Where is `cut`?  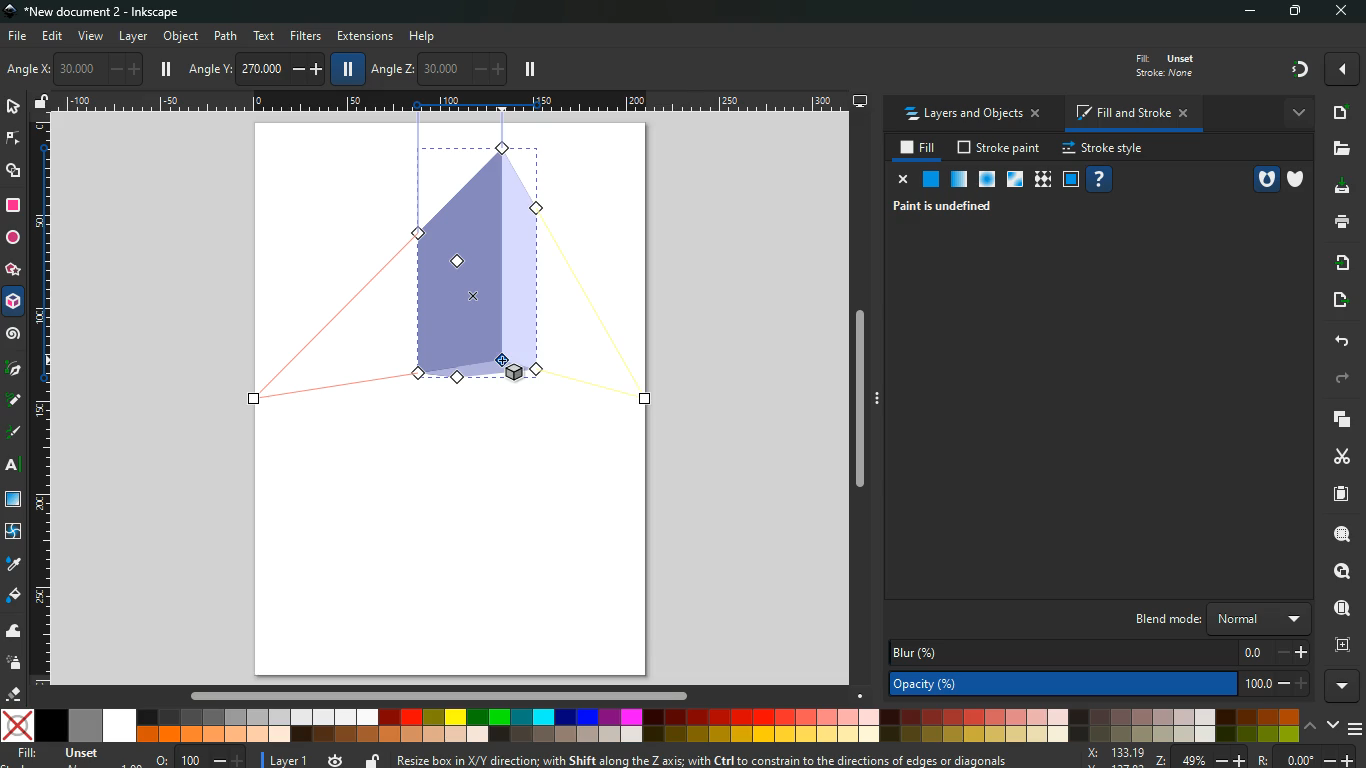 cut is located at coordinates (1342, 456).